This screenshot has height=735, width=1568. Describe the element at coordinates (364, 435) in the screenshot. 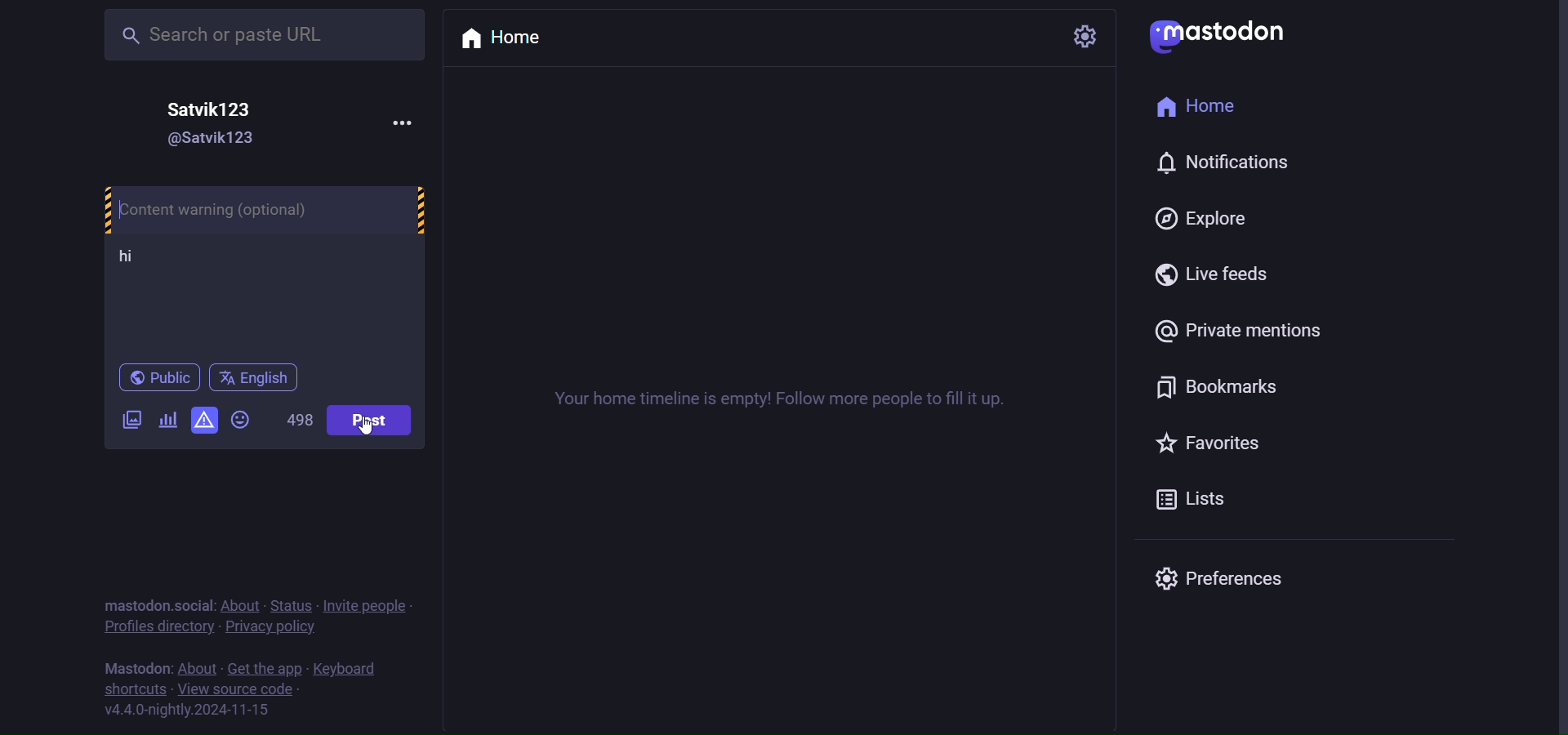

I see `cursor` at that location.